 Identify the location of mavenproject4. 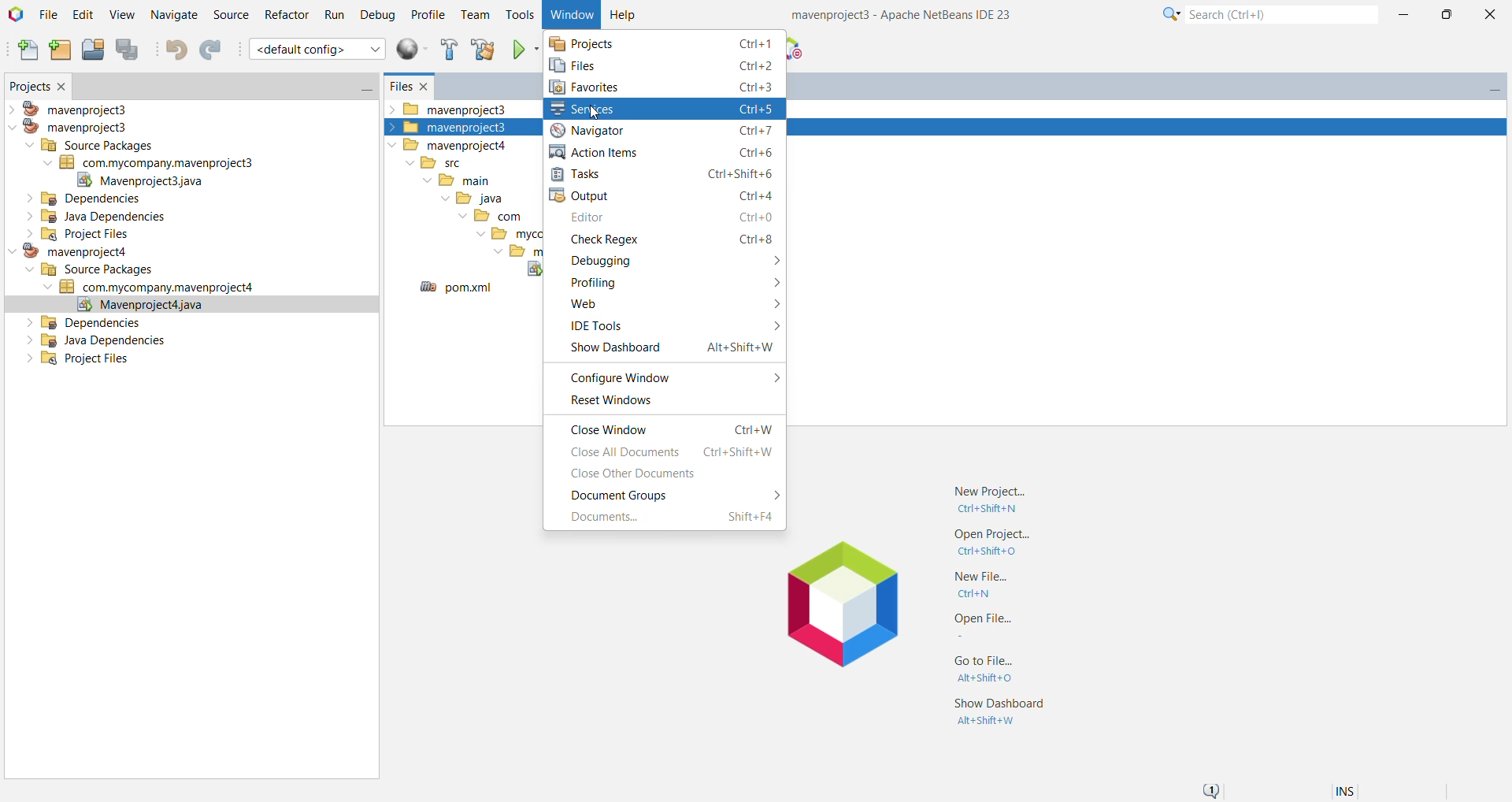
(447, 146).